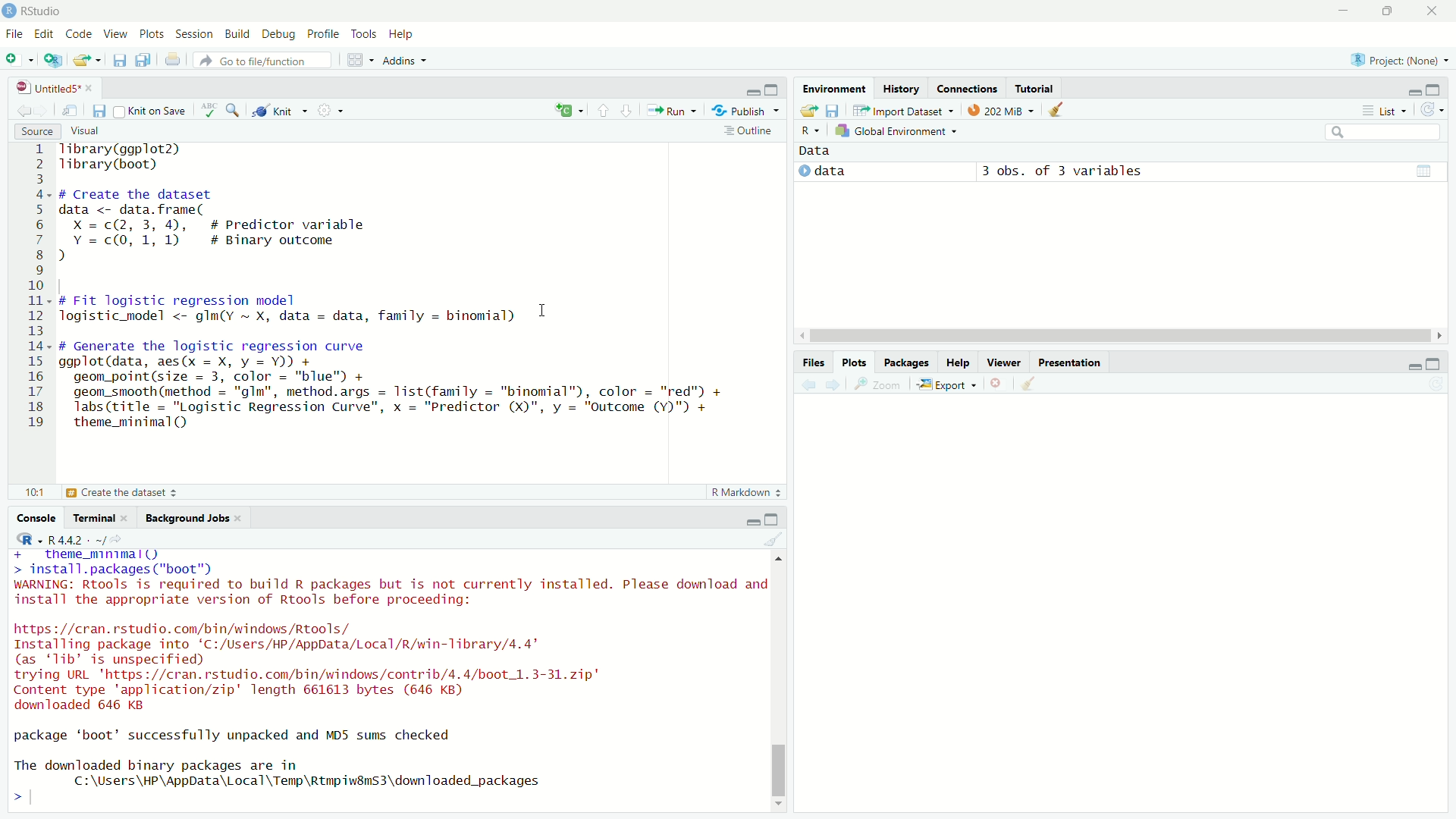 The height and width of the screenshot is (819, 1456). What do you see at coordinates (815, 151) in the screenshot?
I see `Data` at bounding box center [815, 151].